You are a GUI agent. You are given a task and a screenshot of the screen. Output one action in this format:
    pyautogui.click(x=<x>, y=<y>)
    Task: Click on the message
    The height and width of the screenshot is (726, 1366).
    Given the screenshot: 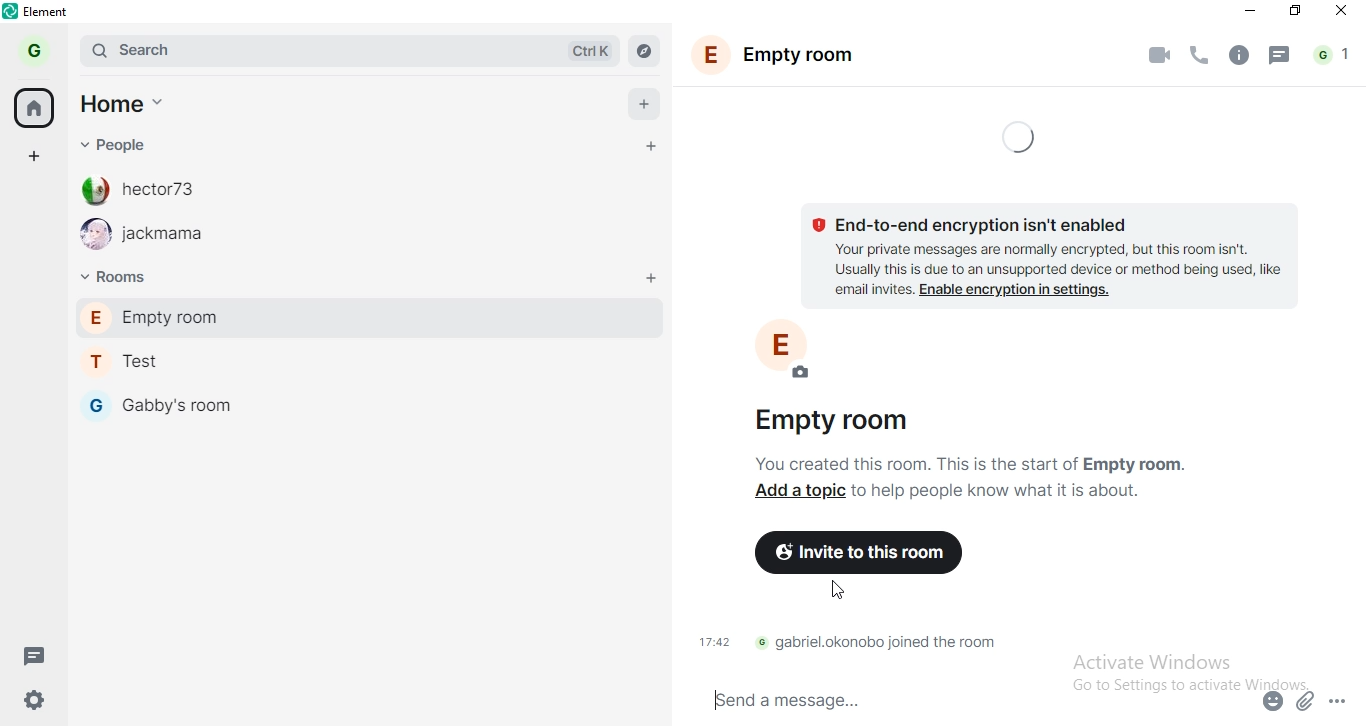 What is the action you would take?
    pyautogui.click(x=34, y=659)
    